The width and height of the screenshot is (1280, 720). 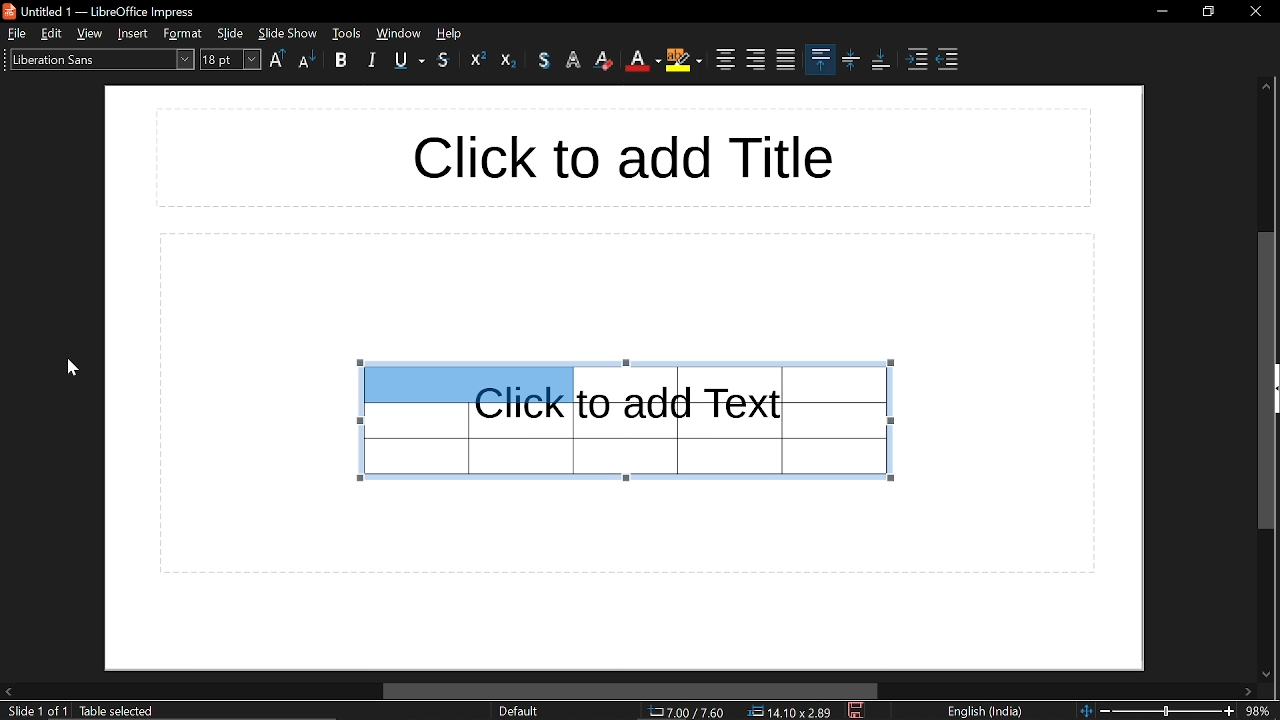 What do you see at coordinates (91, 33) in the screenshot?
I see `view` at bounding box center [91, 33].